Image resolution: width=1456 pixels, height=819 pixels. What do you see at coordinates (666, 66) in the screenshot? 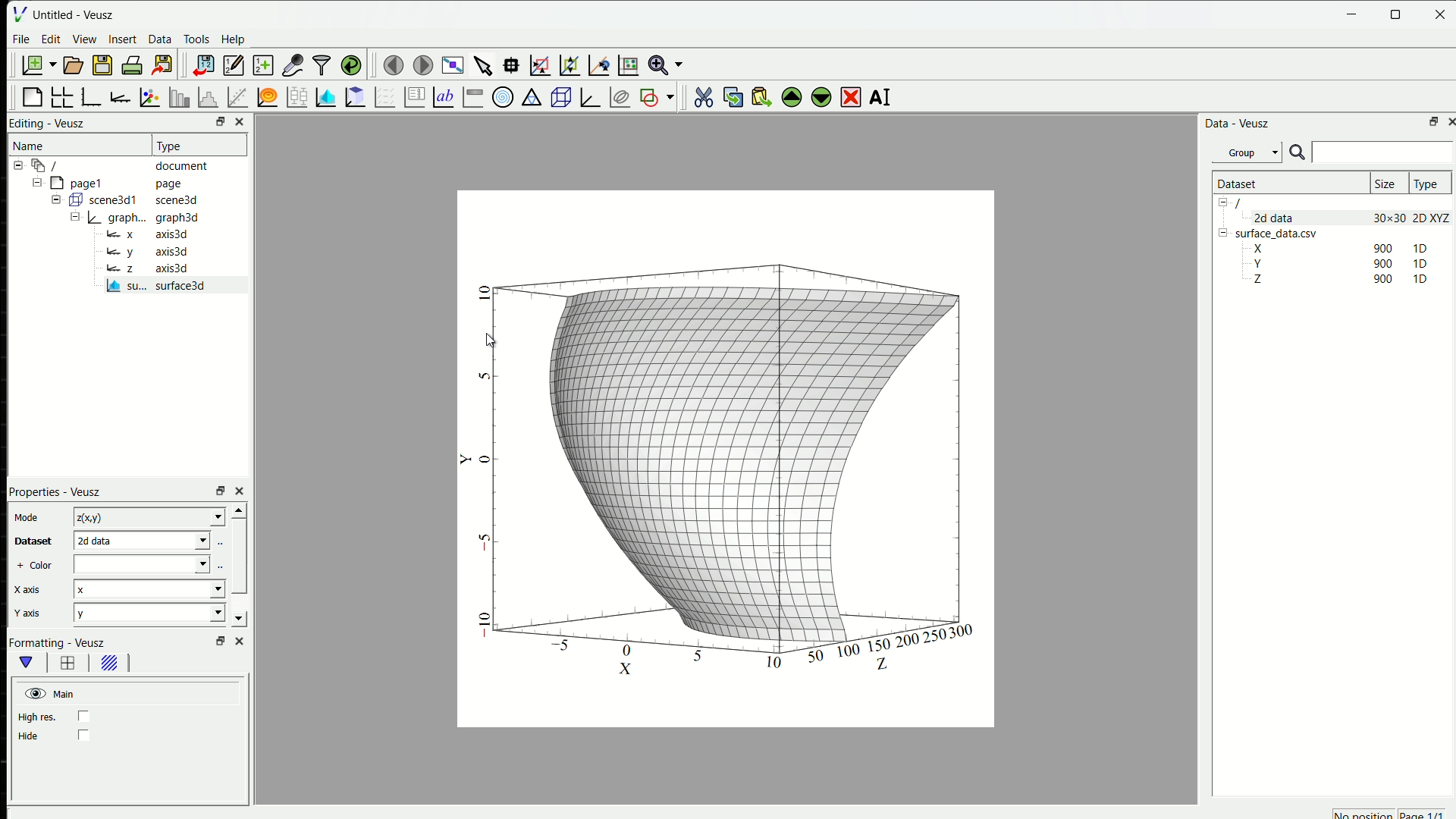
I see `zoom functions menu` at bounding box center [666, 66].